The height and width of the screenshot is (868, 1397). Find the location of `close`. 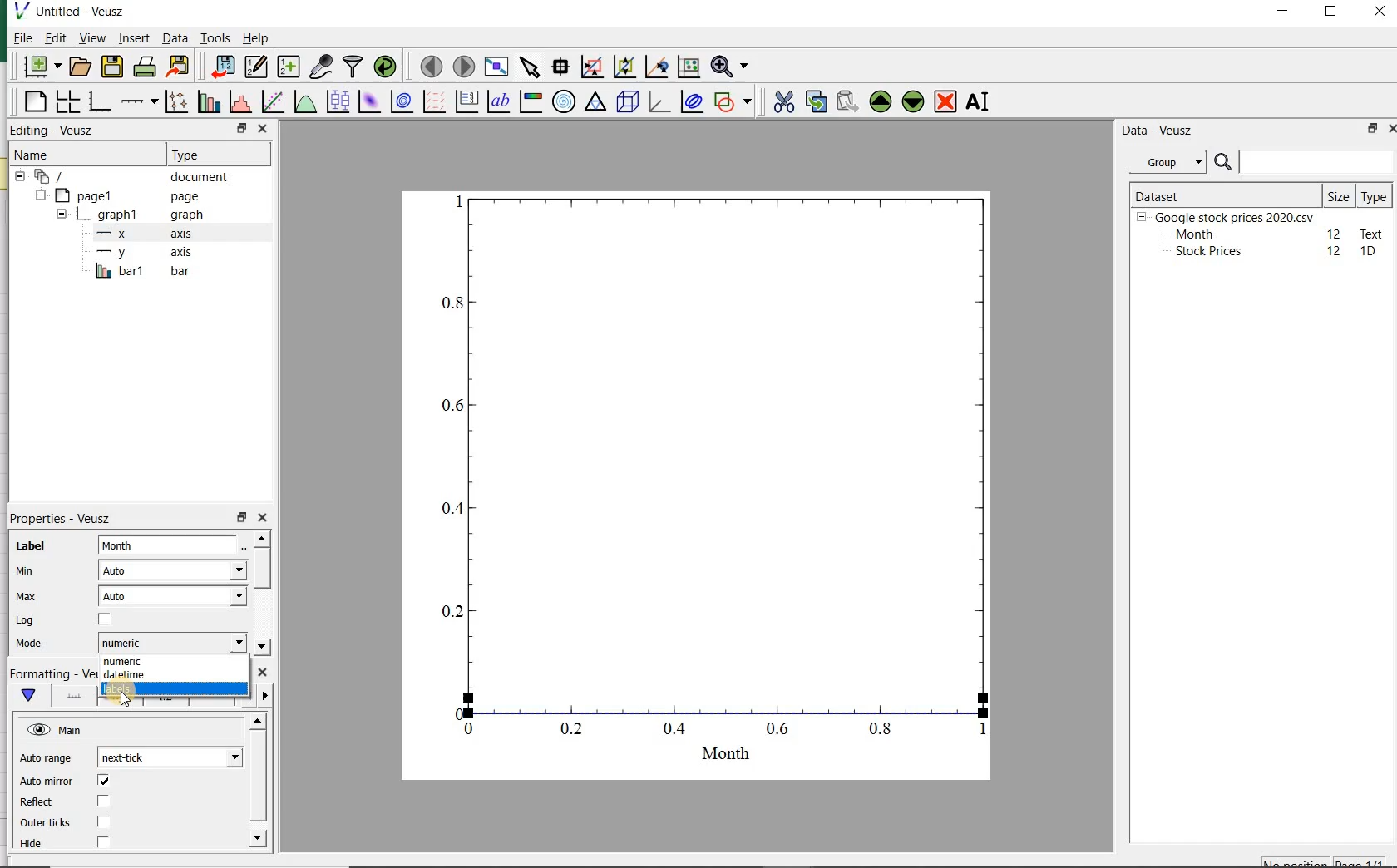

close is located at coordinates (264, 518).